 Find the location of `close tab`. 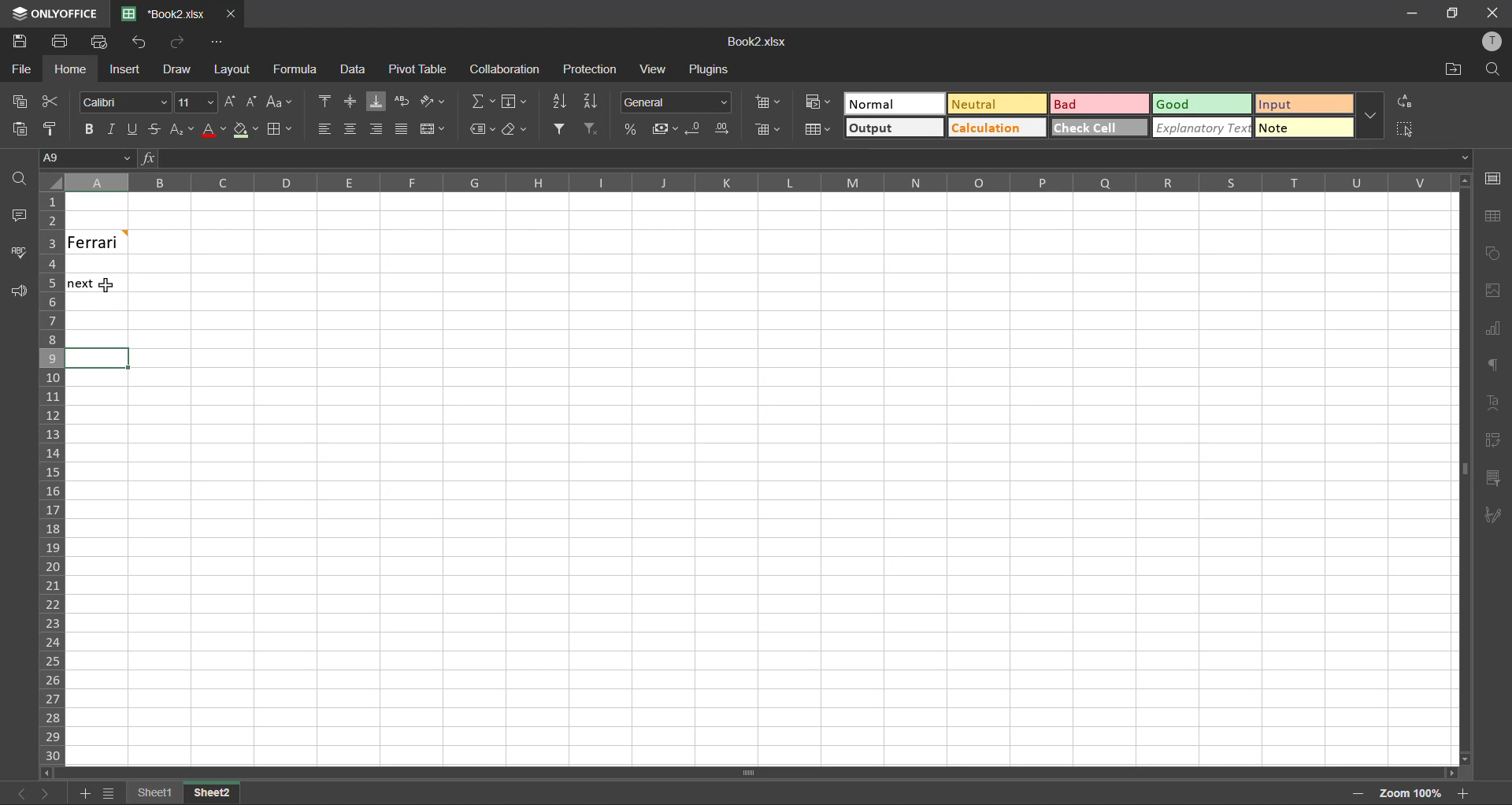

close tab is located at coordinates (233, 13).